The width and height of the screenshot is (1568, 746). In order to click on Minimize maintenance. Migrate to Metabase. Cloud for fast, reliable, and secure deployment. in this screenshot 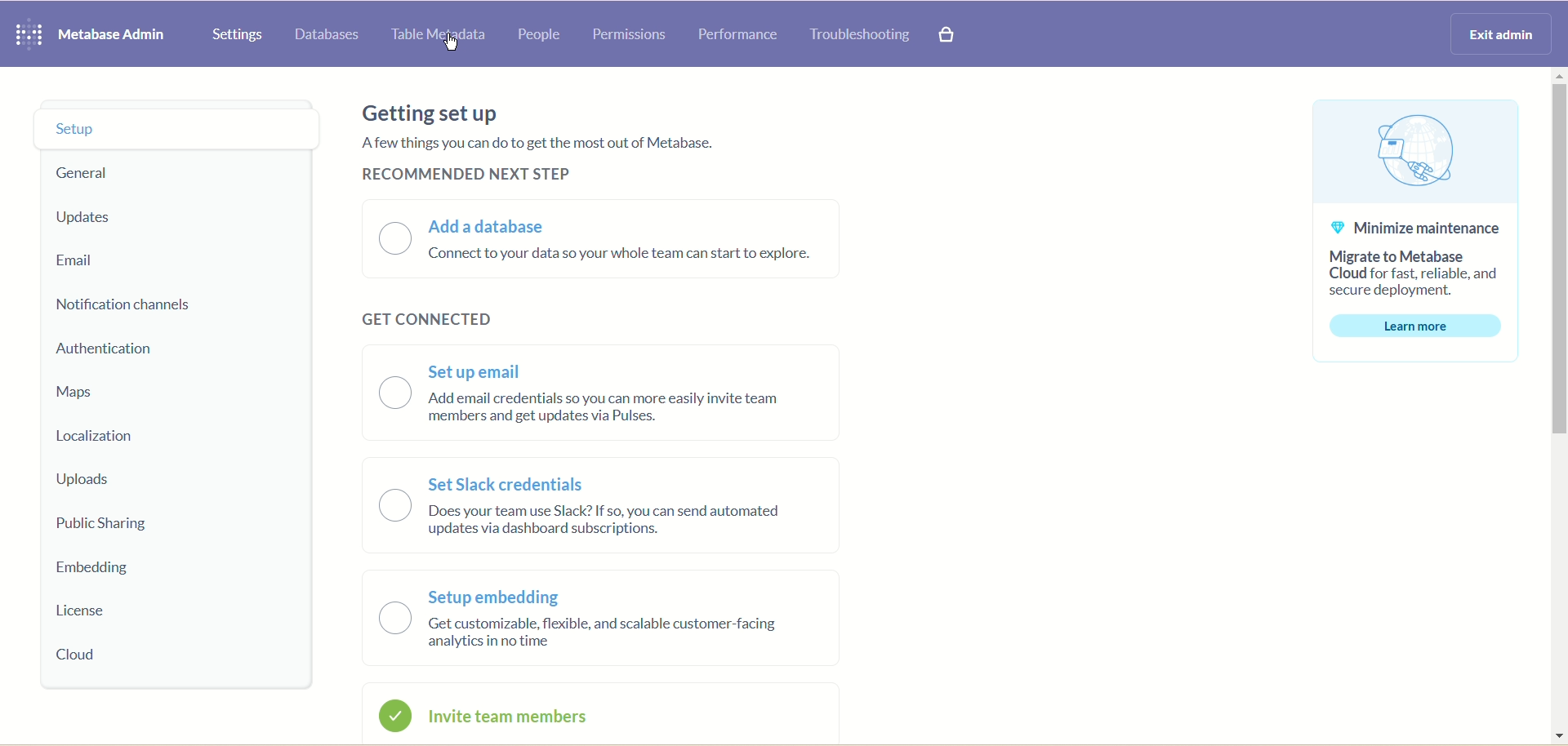, I will do `click(1421, 256)`.